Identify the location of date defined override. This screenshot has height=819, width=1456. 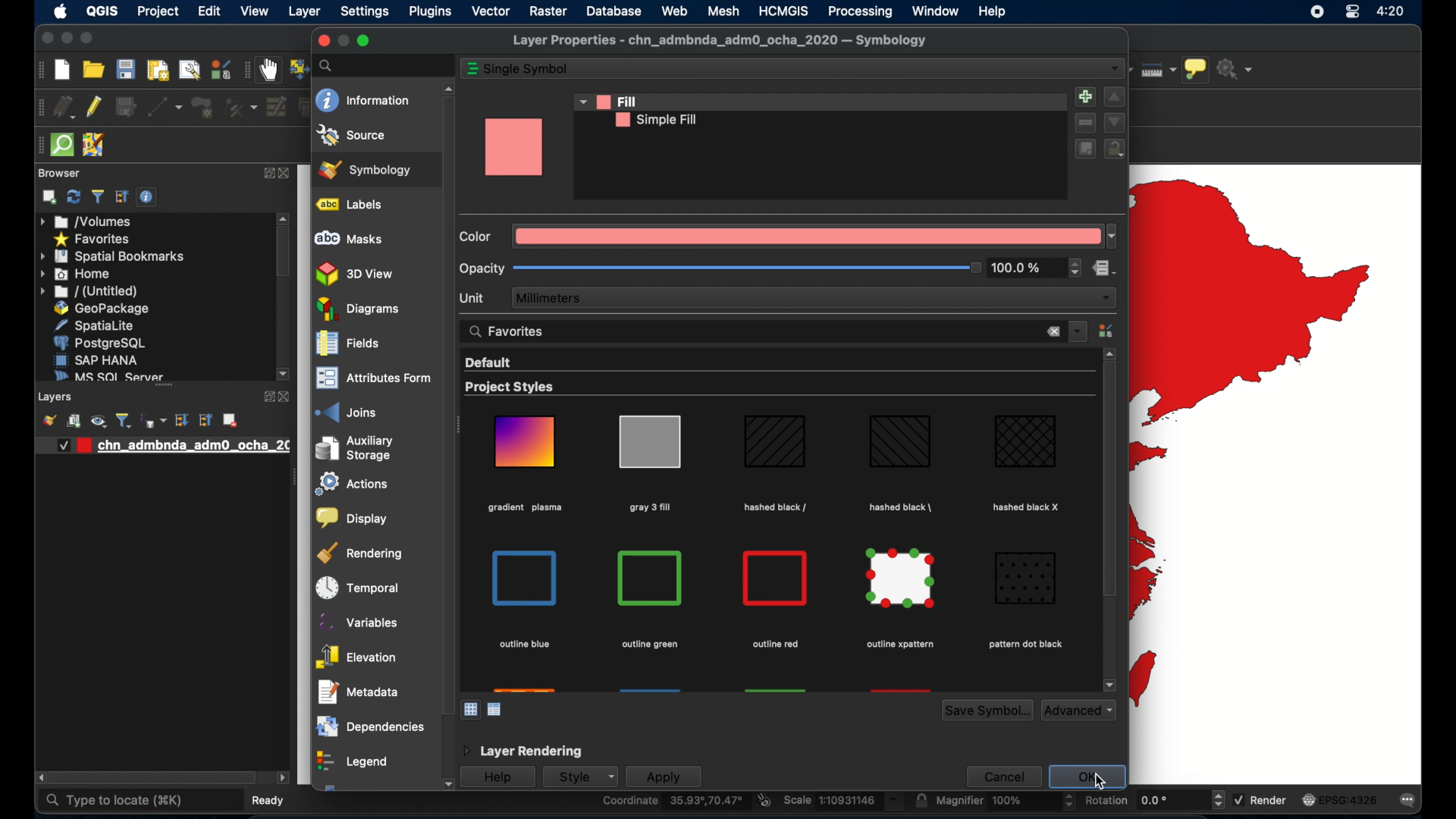
(1105, 270).